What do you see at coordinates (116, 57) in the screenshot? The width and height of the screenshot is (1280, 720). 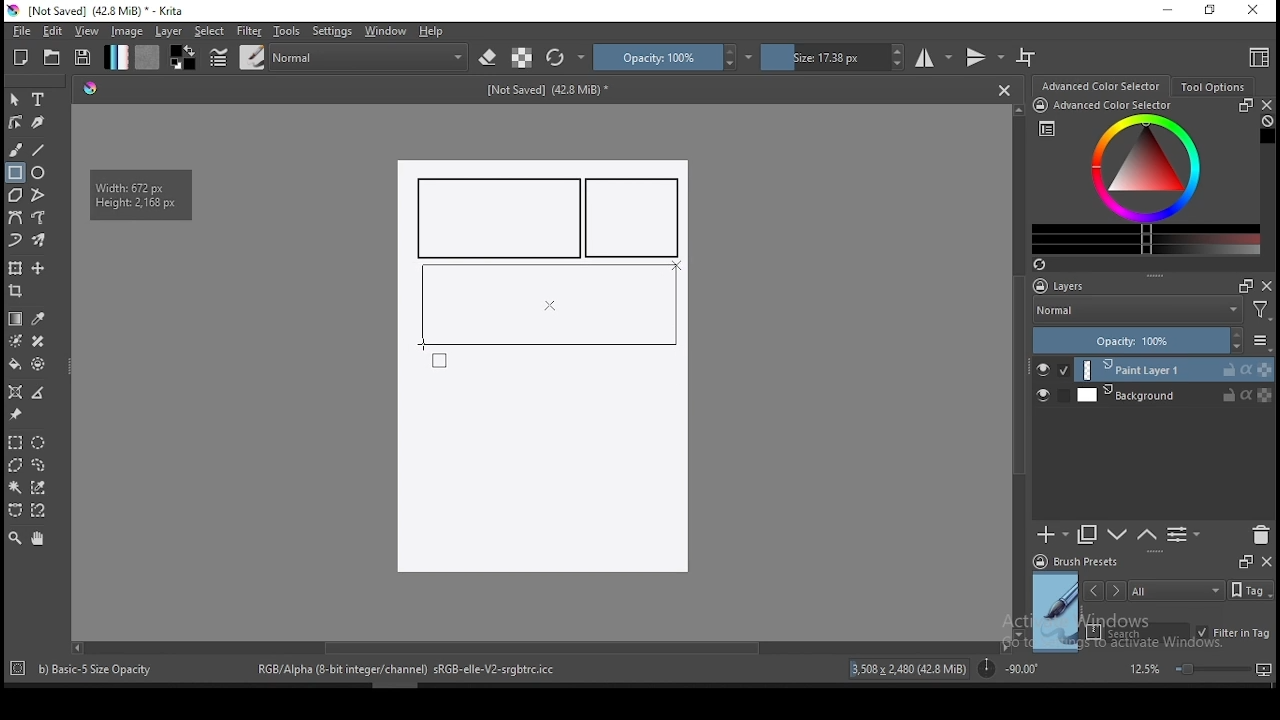 I see `gradient fill` at bounding box center [116, 57].